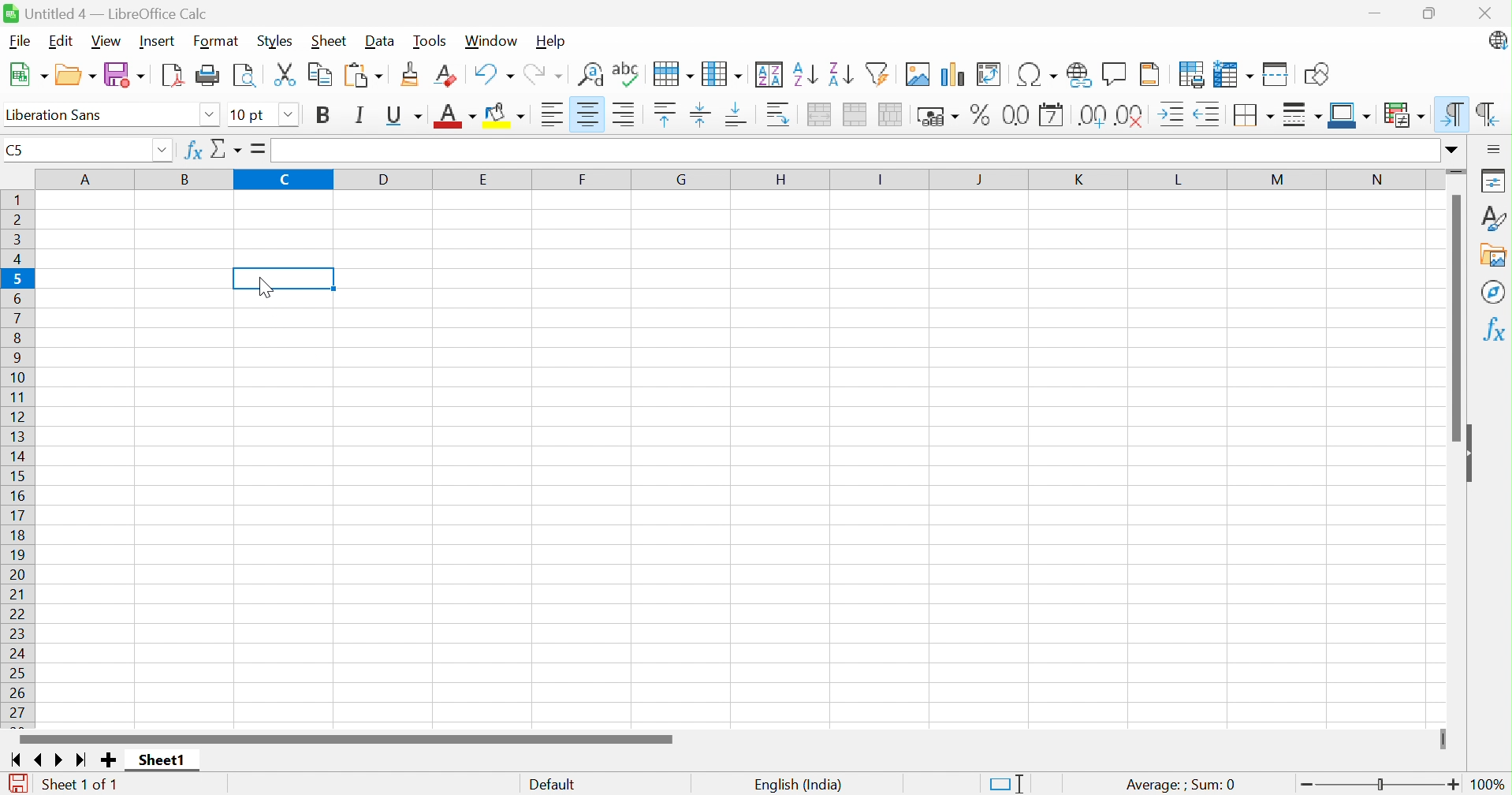  What do you see at coordinates (285, 277) in the screenshot?
I see `c5 cell` at bounding box center [285, 277].